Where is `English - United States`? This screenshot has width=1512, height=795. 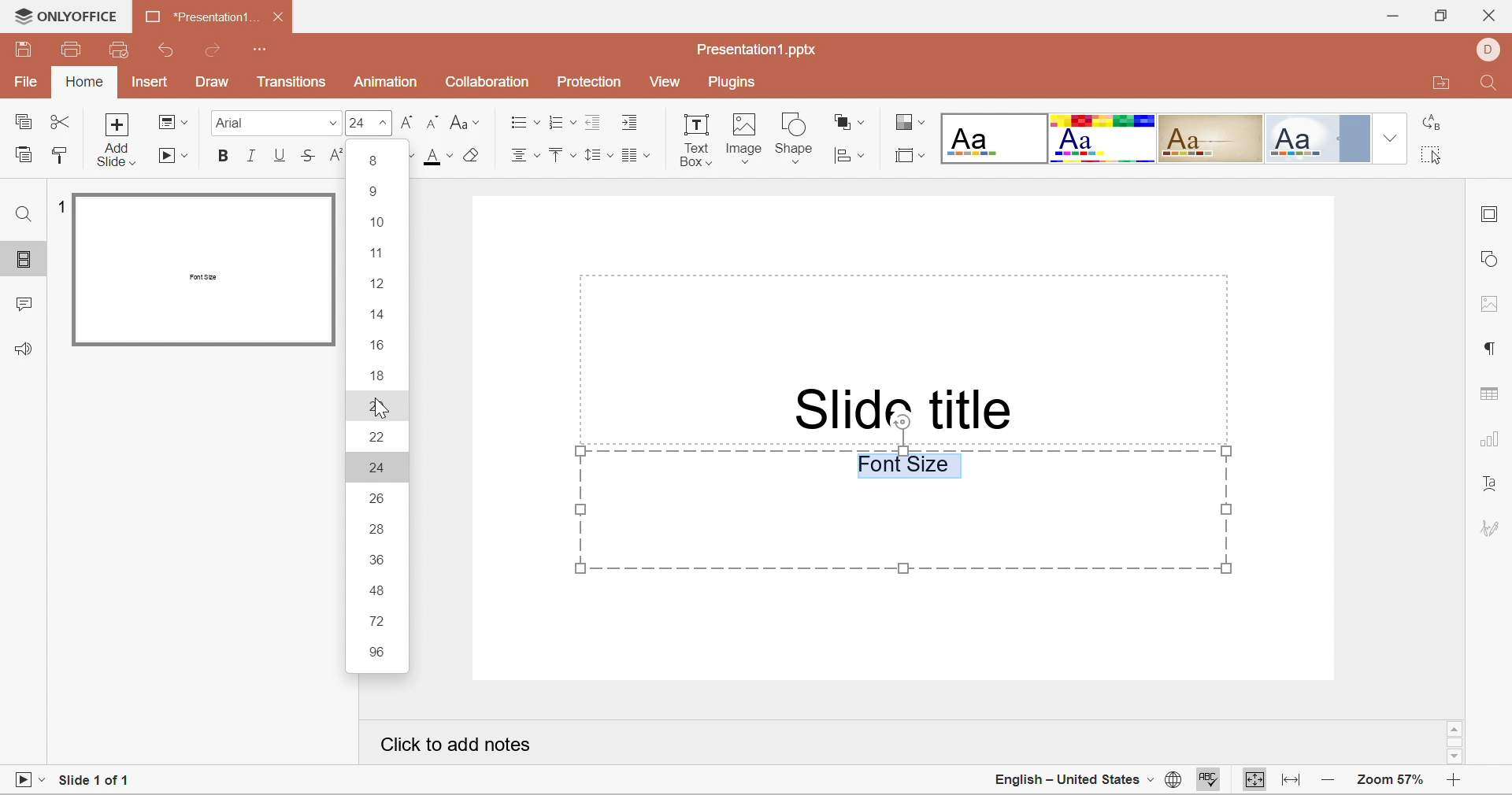
English - United States is located at coordinates (1067, 782).